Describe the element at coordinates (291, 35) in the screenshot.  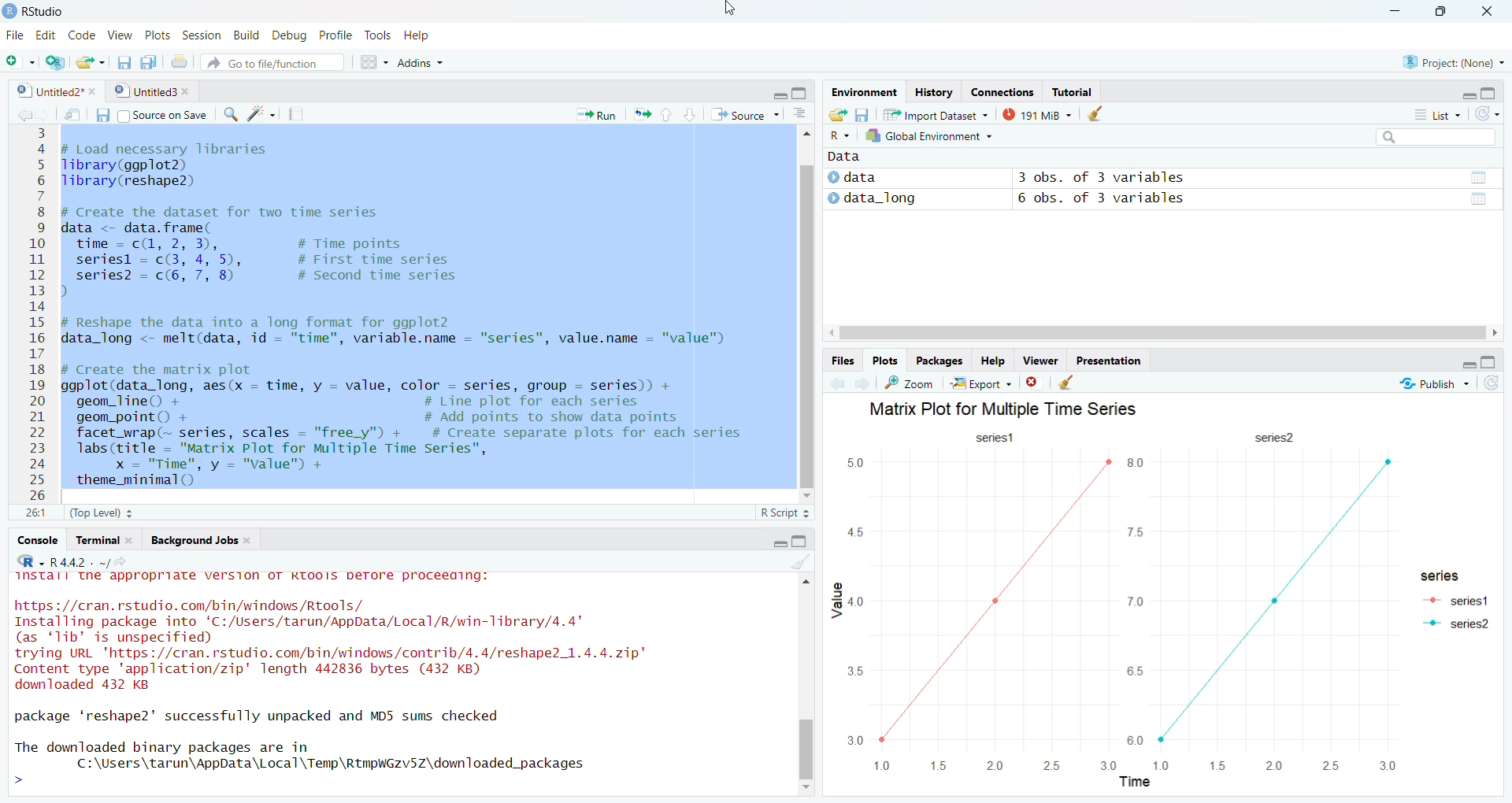
I see `Debug` at that location.